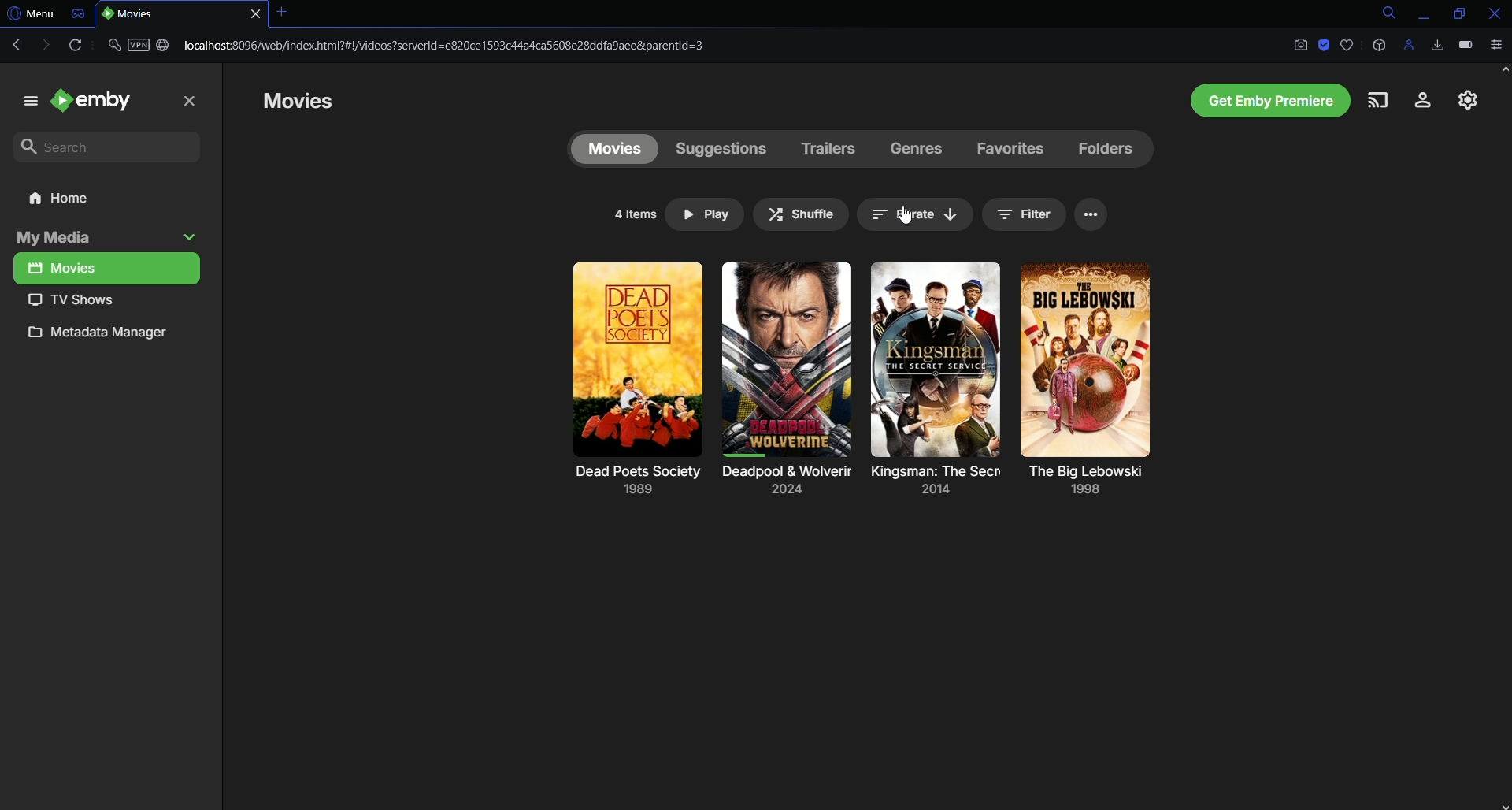 The width and height of the screenshot is (1512, 810). What do you see at coordinates (1377, 100) in the screenshot?
I see `Cast` at bounding box center [1377, 100].